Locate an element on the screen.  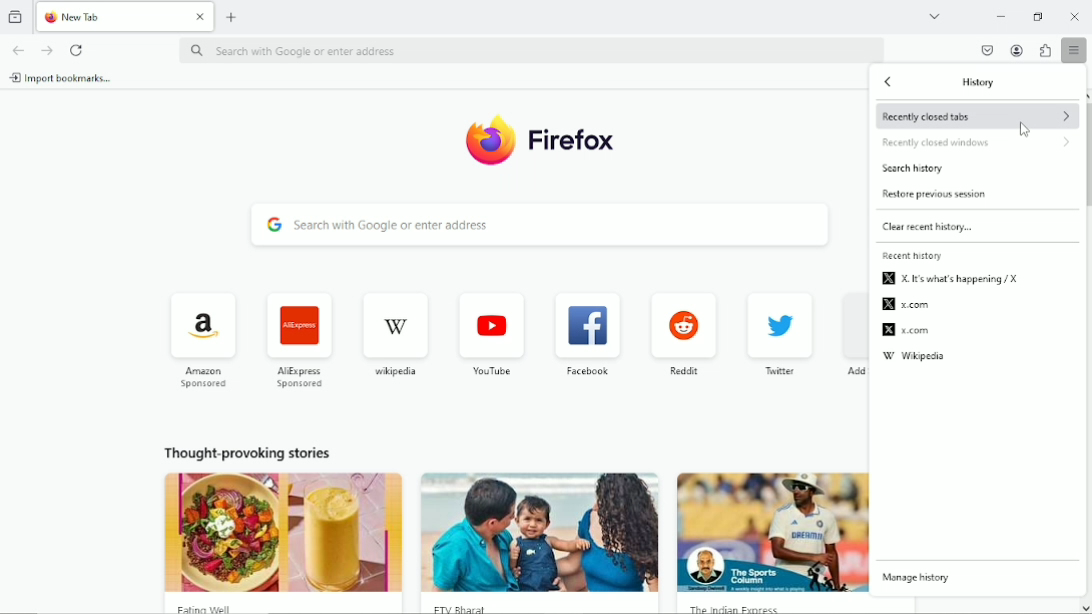
manage history is located at coordinates (919, 578).